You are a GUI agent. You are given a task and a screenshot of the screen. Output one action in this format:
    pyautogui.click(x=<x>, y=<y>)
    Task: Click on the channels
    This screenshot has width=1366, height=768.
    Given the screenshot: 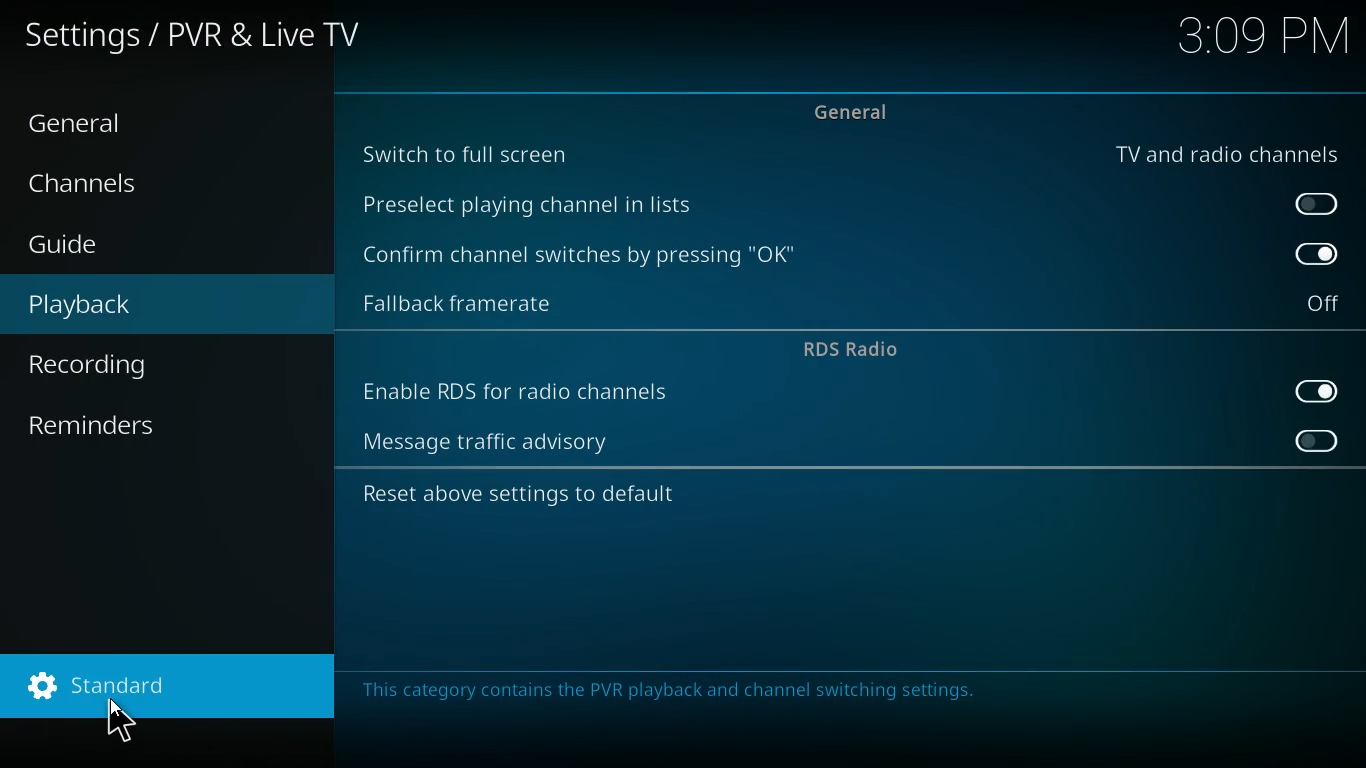 What is the action you would take?
    pyautogui.click(x=101, y=188)
    